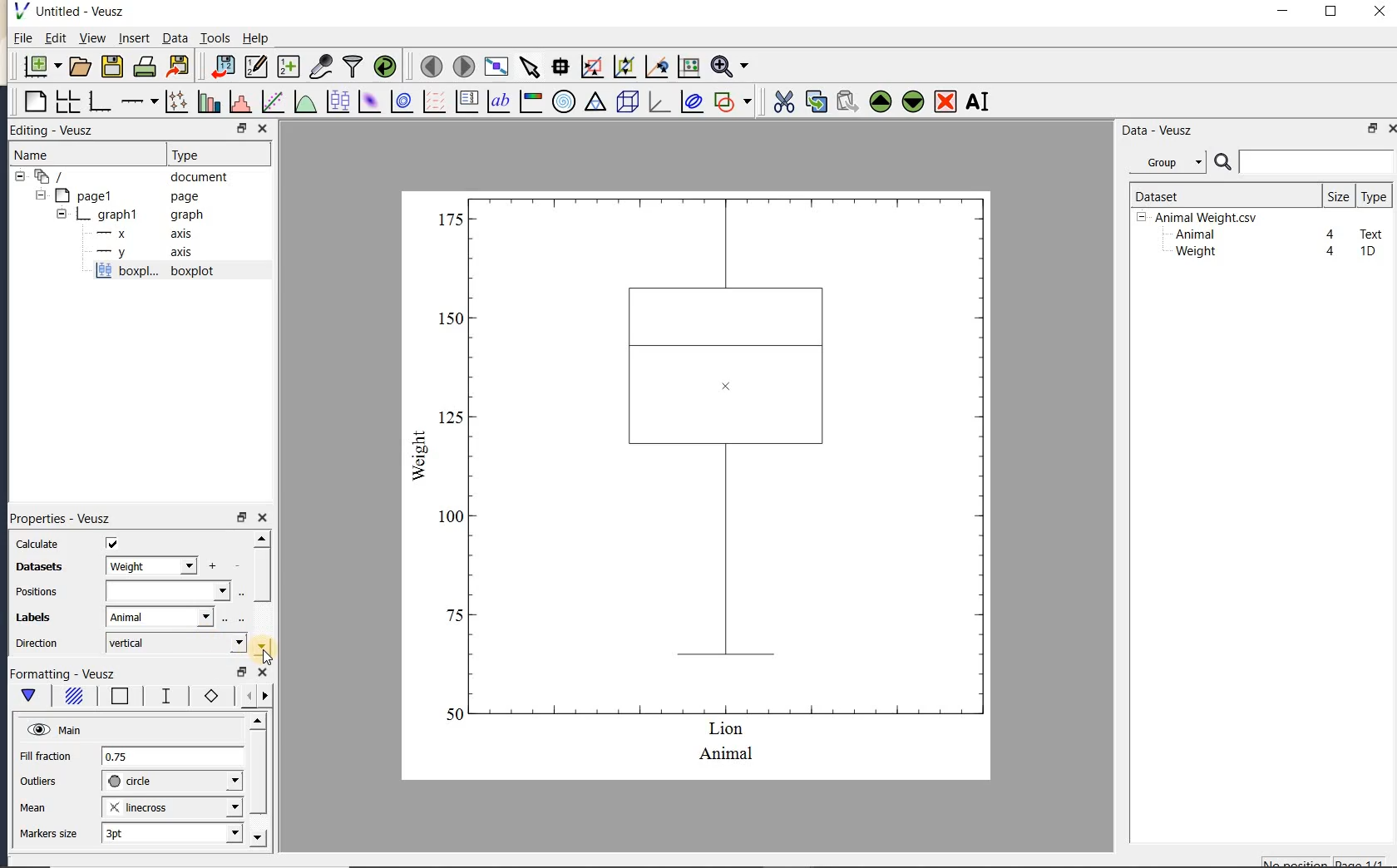 This screenshot has width=1397, height=868. I want to click on page1, so click(119, 197).